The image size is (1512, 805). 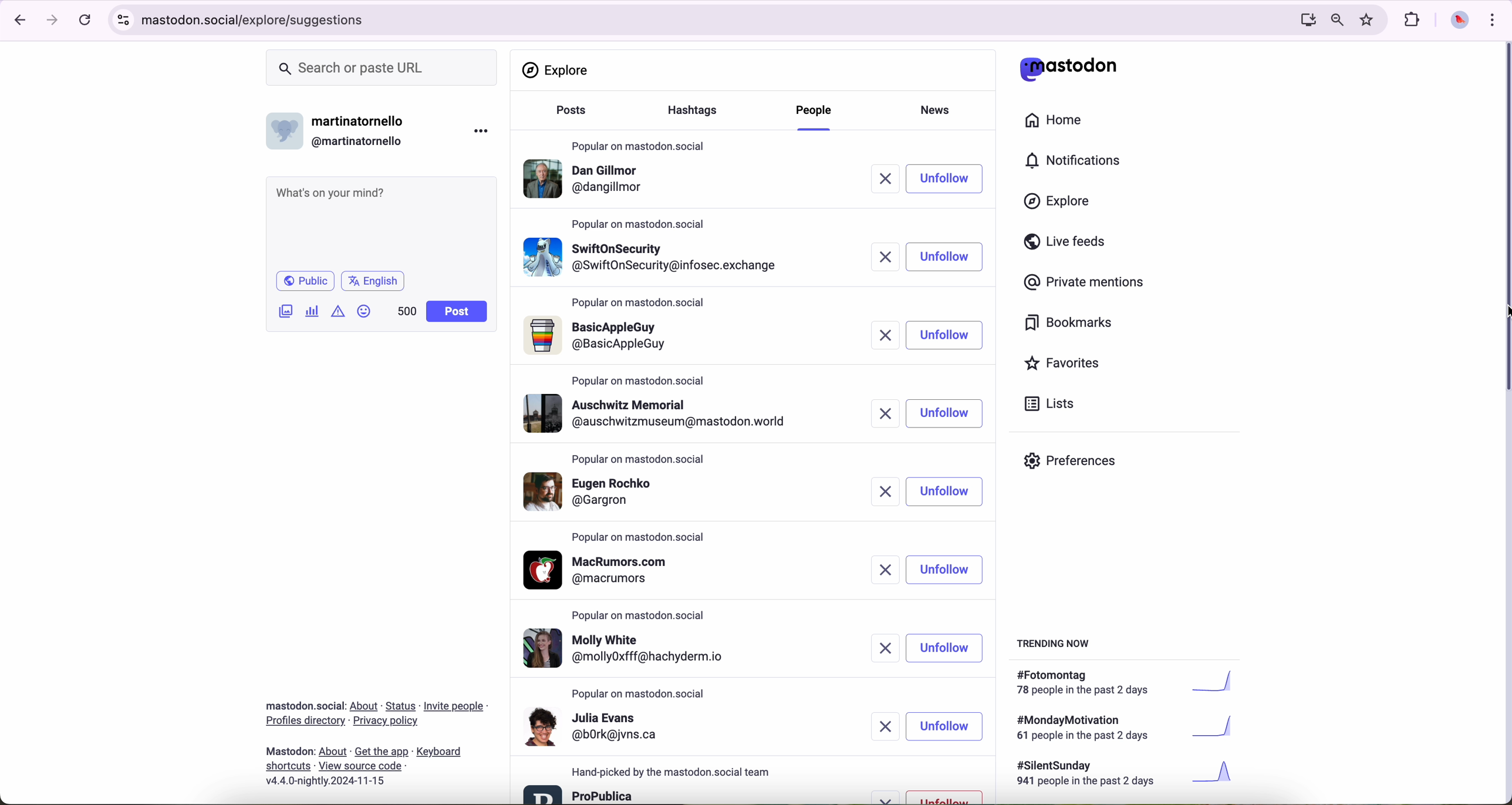 I want to click on remove, so click(x=893, y=179).